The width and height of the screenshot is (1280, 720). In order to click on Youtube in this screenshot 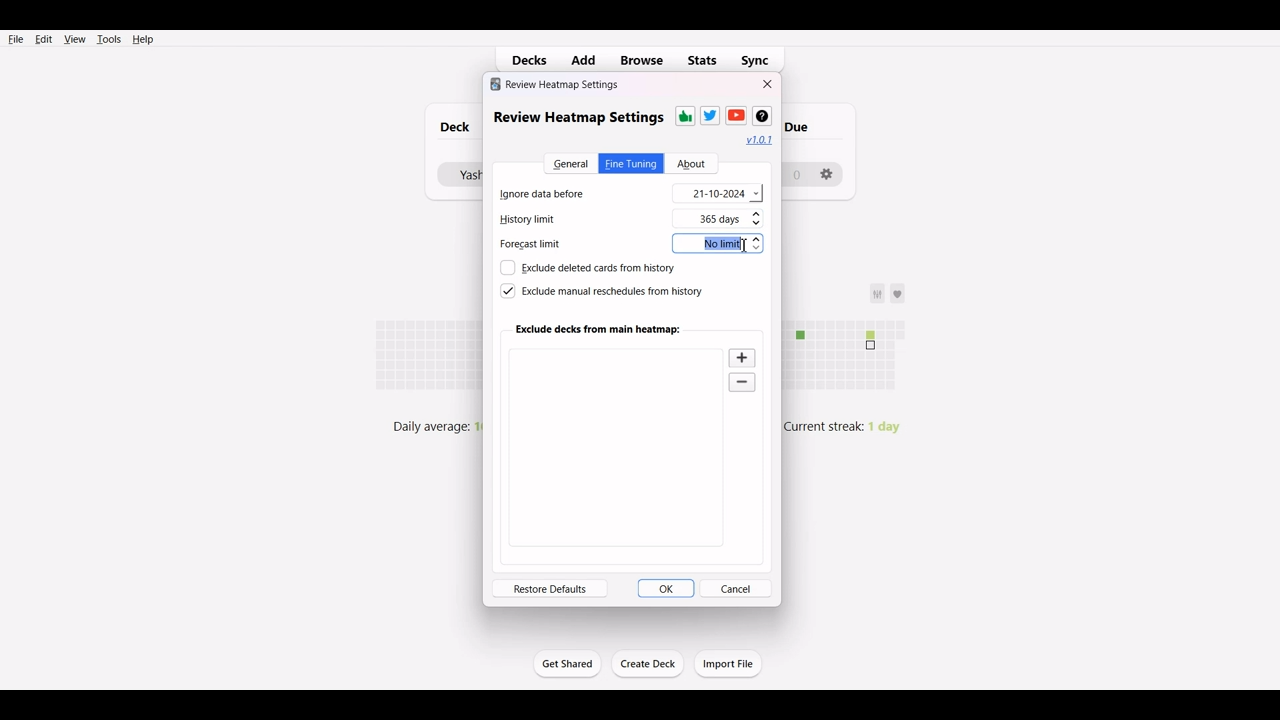, I will do `click(736, 115)`.